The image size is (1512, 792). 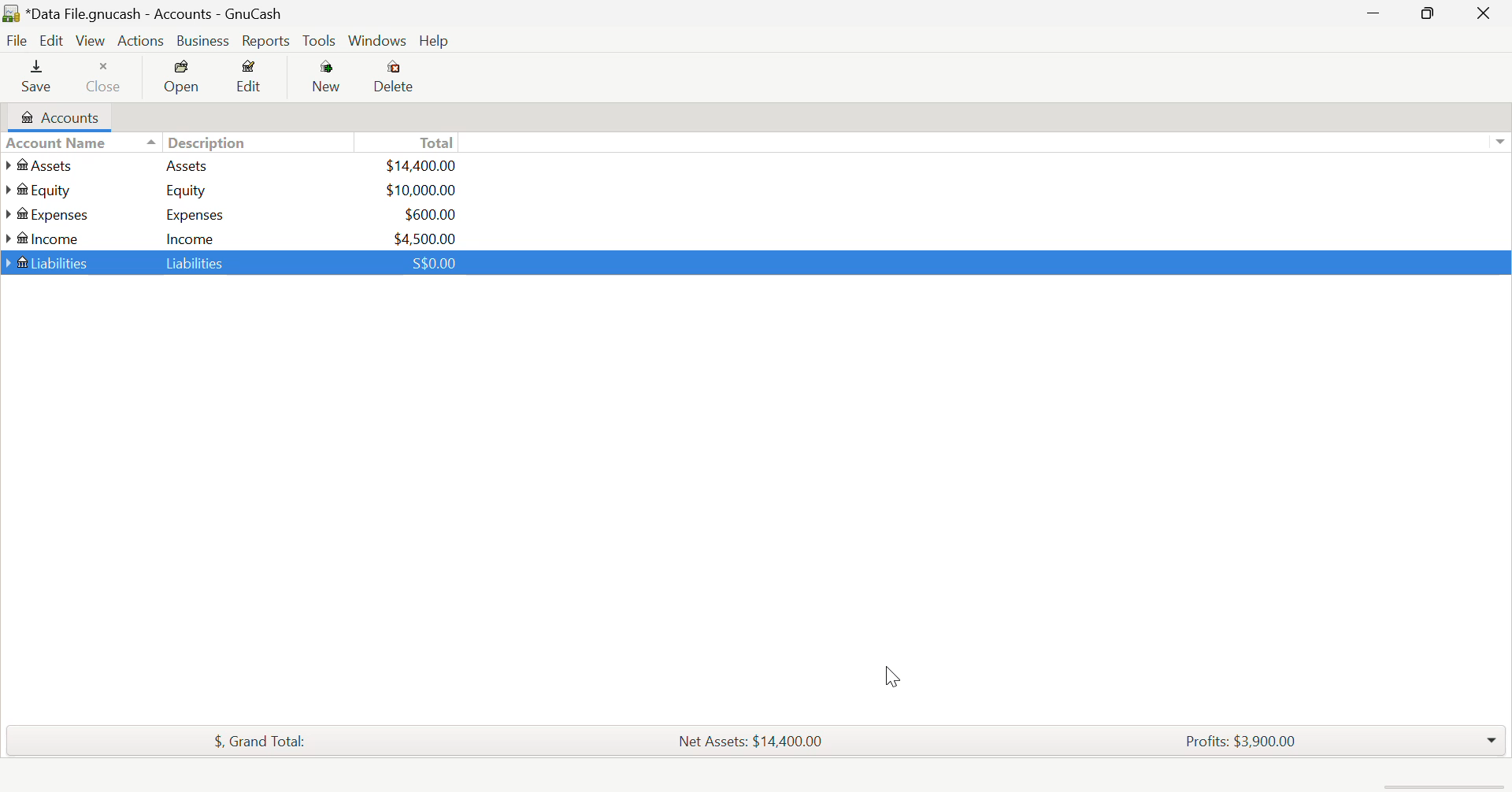 What do you see at coordinates (183, 80) in the screenshot?
I see `Open` at bounding box center [183, 80].